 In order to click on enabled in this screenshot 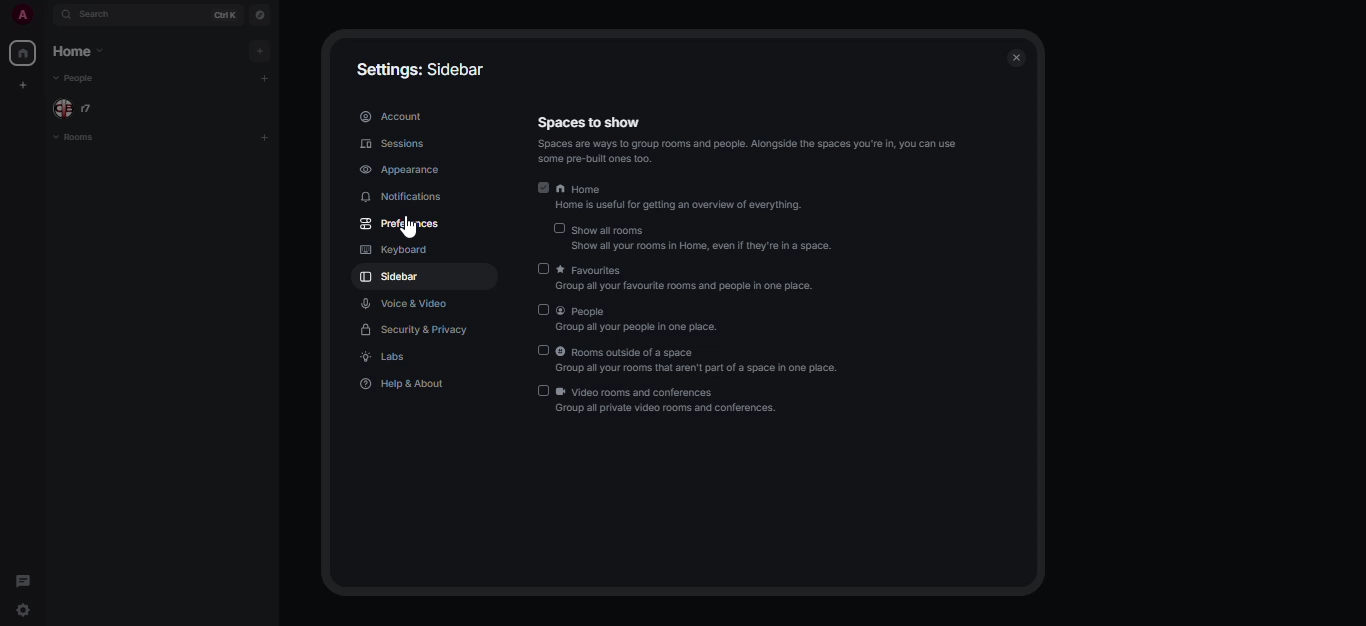, I will do `click(543, 187)`.